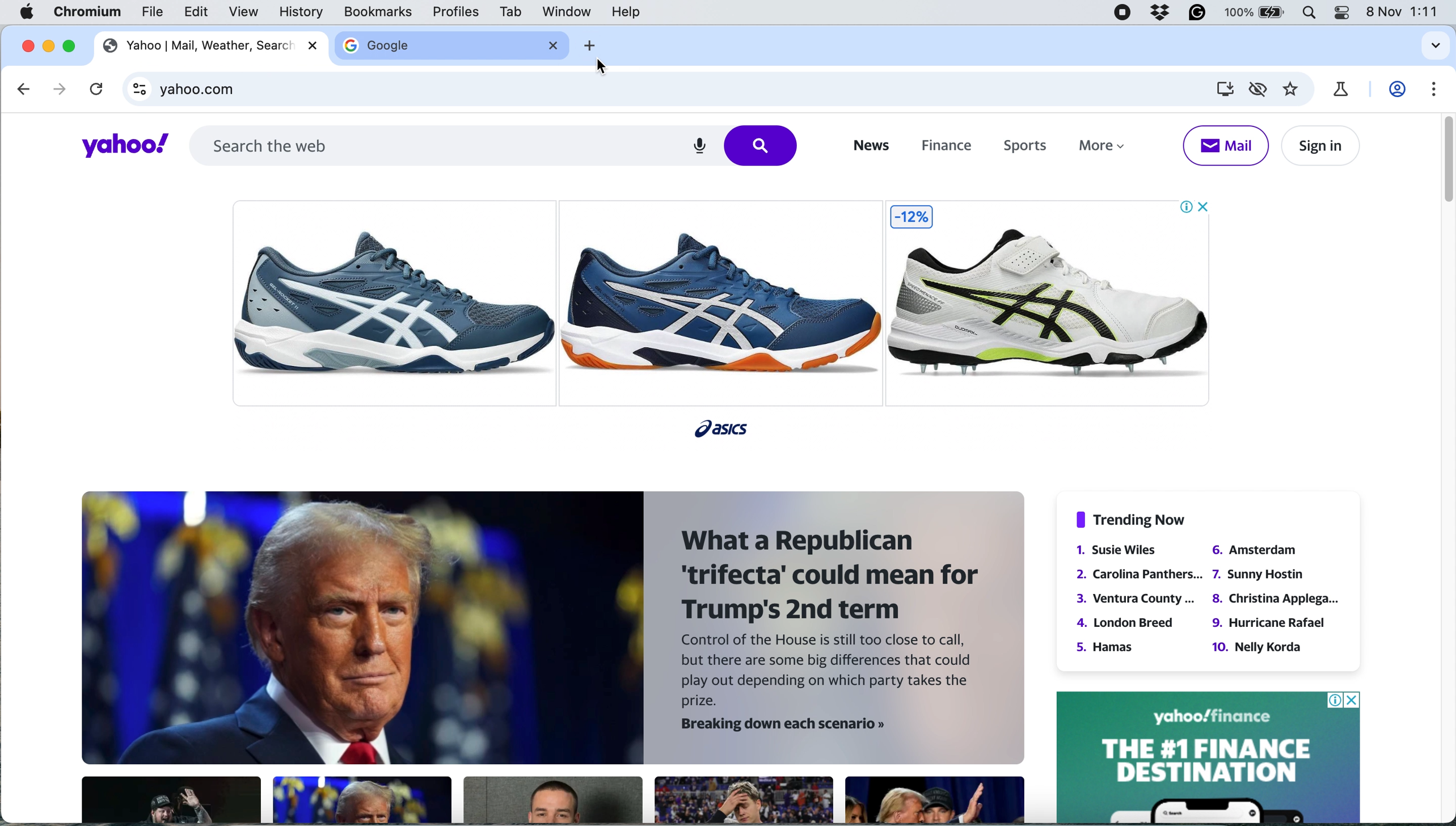  What do you see at coordinates (197, 12) in the screenshot?
I see `edit` at bounding box center [197, 12].